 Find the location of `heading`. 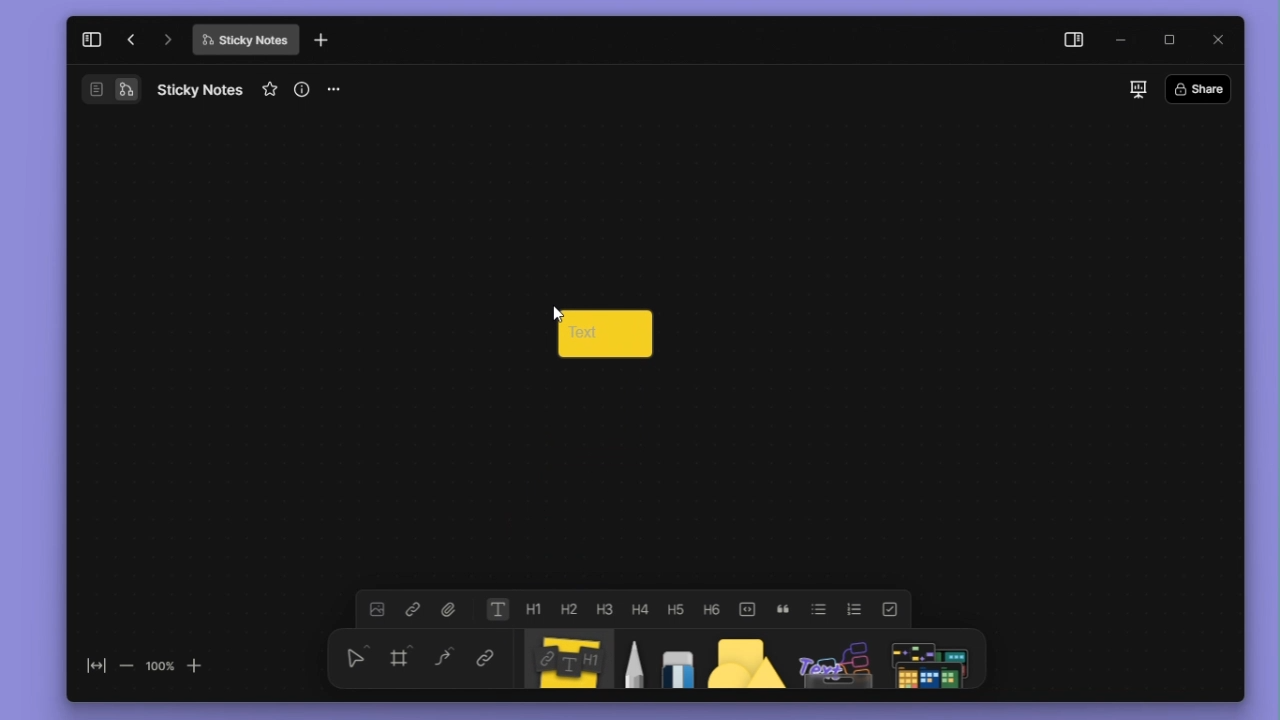

heading is located at coordinates (573, 609).